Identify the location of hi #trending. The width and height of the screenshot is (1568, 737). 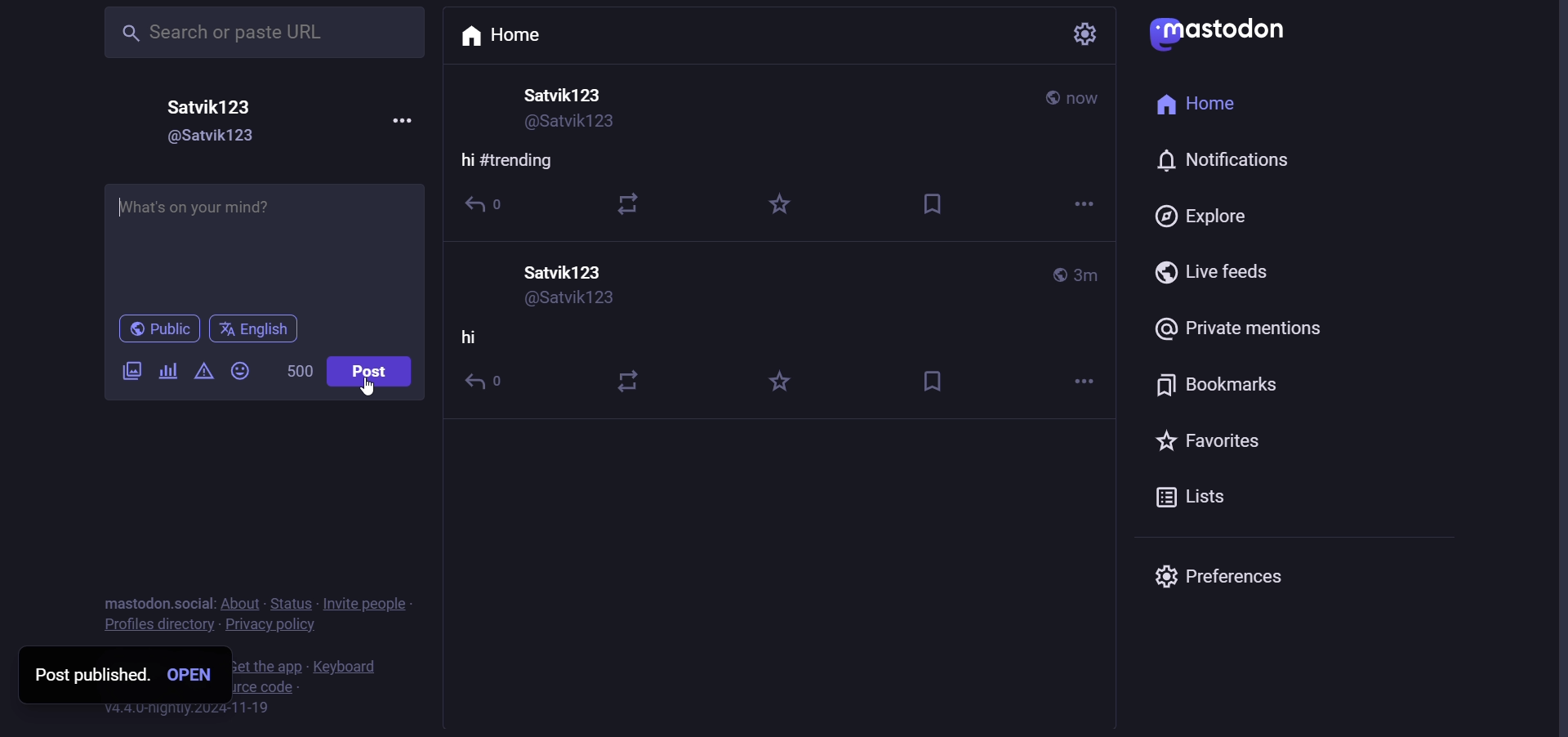
(508, 162).